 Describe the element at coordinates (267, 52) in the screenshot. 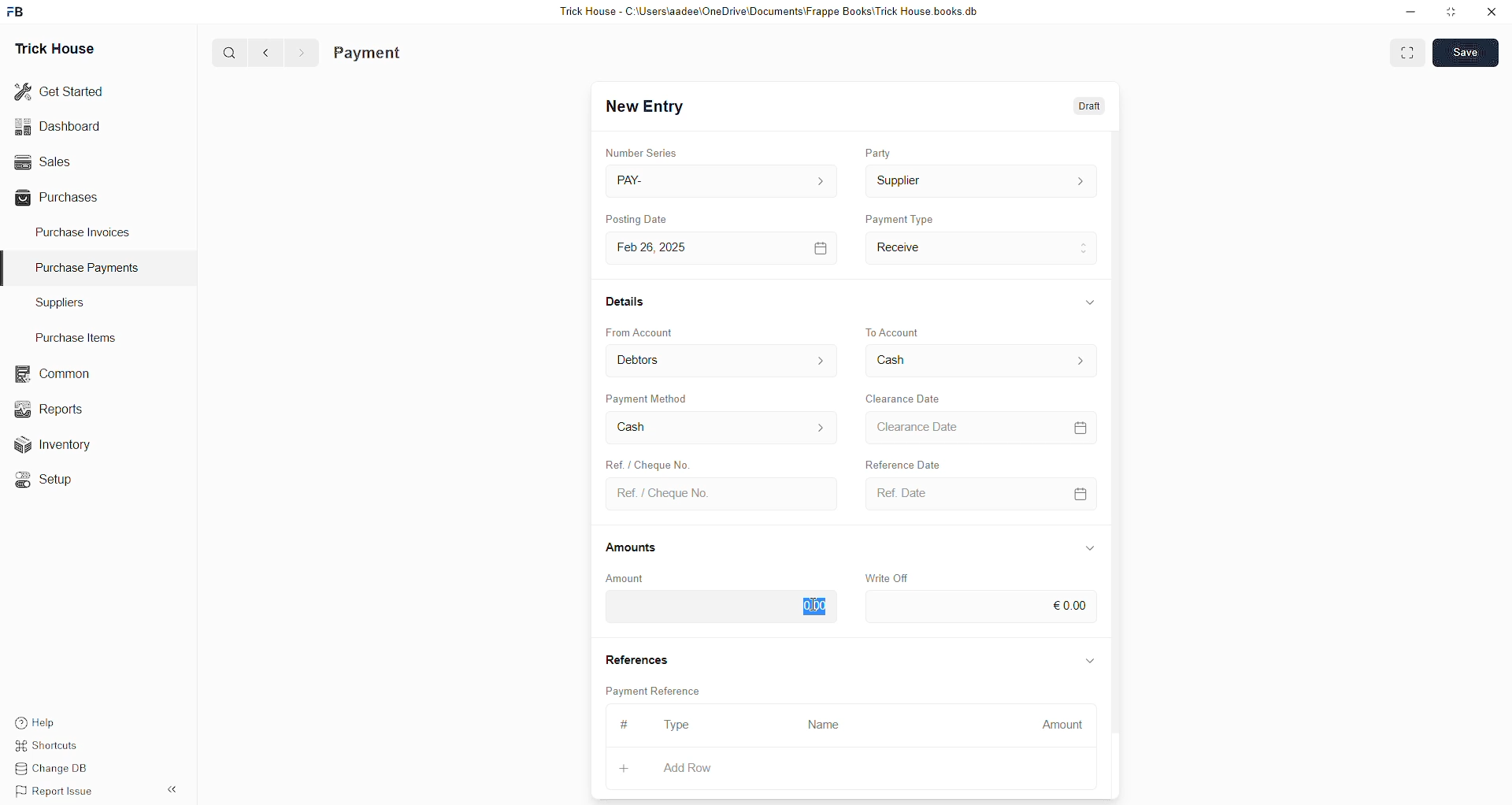

I see `back` at that location.